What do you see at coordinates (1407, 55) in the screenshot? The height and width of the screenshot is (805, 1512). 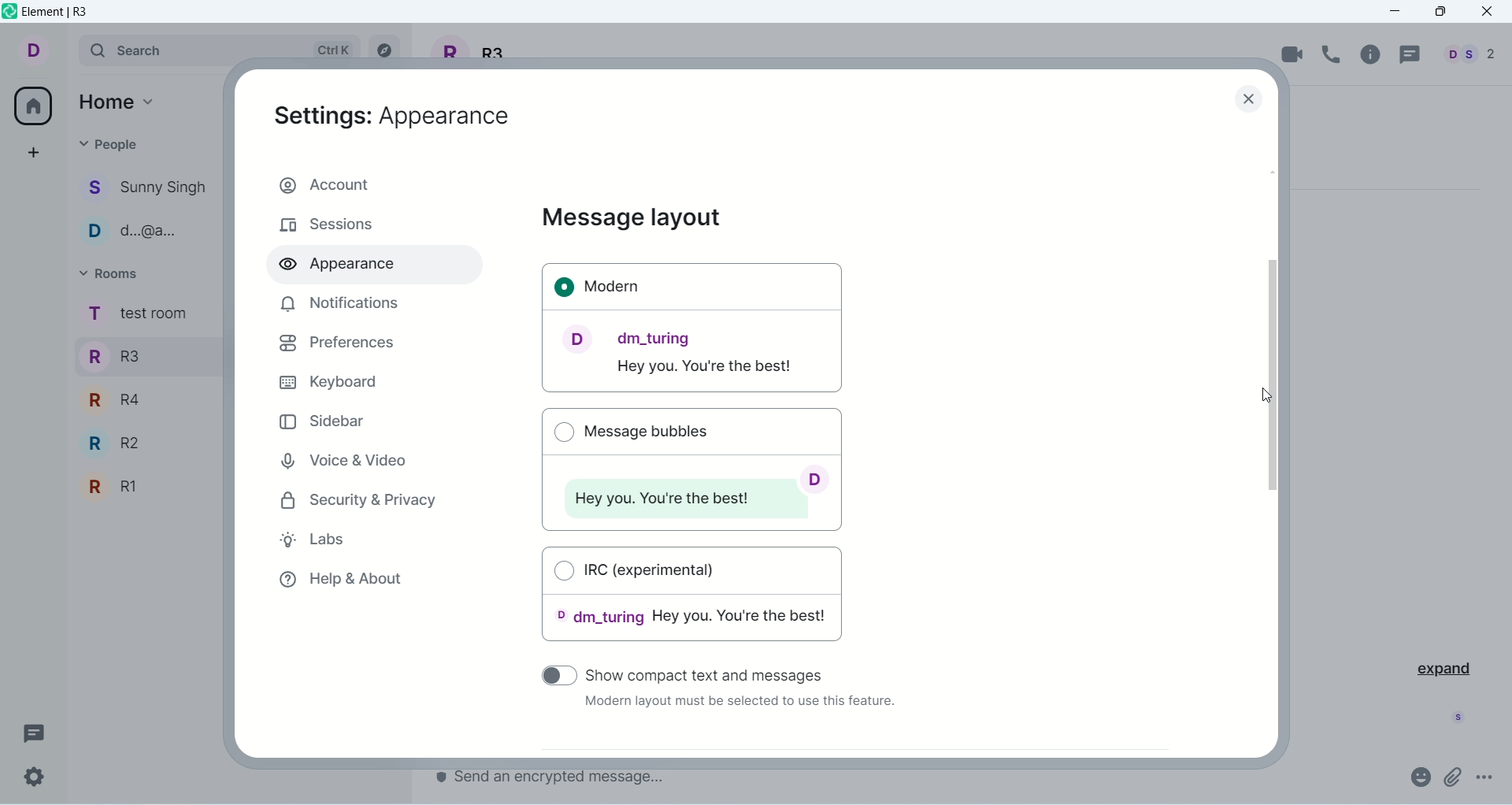 I see `threads` at bounding box center [1407, 55].